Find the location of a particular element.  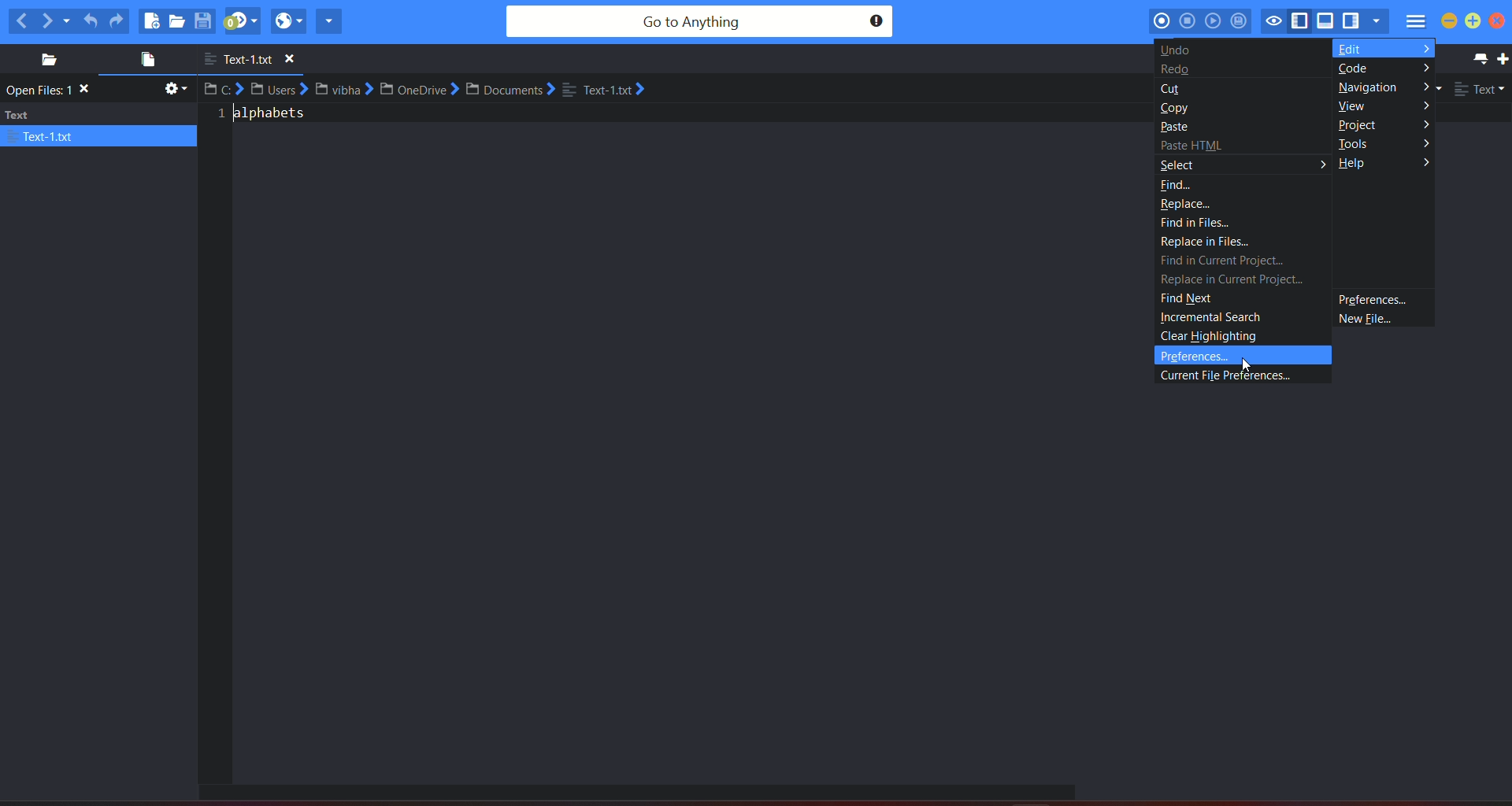

new file is located at coordinates (151, 20).